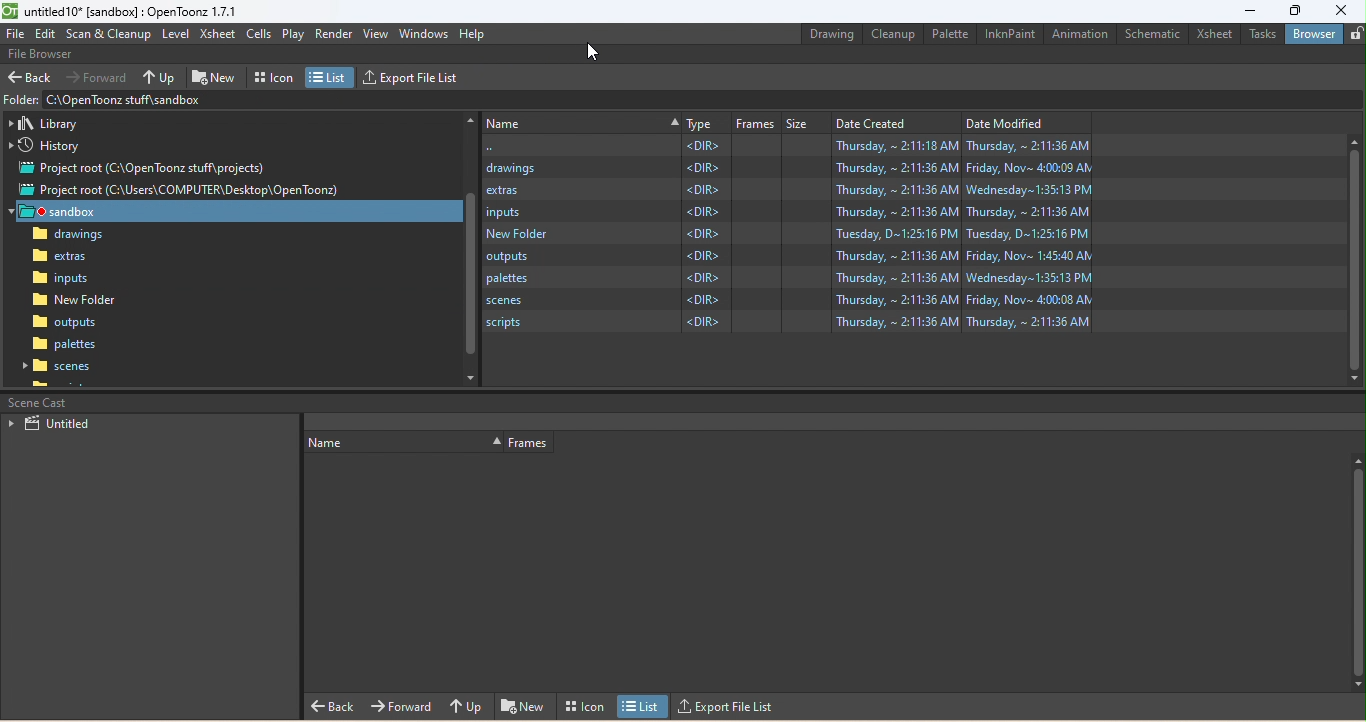 This screenshot has width=1366, height=722. I want to click on inputs, so click(786, 210).